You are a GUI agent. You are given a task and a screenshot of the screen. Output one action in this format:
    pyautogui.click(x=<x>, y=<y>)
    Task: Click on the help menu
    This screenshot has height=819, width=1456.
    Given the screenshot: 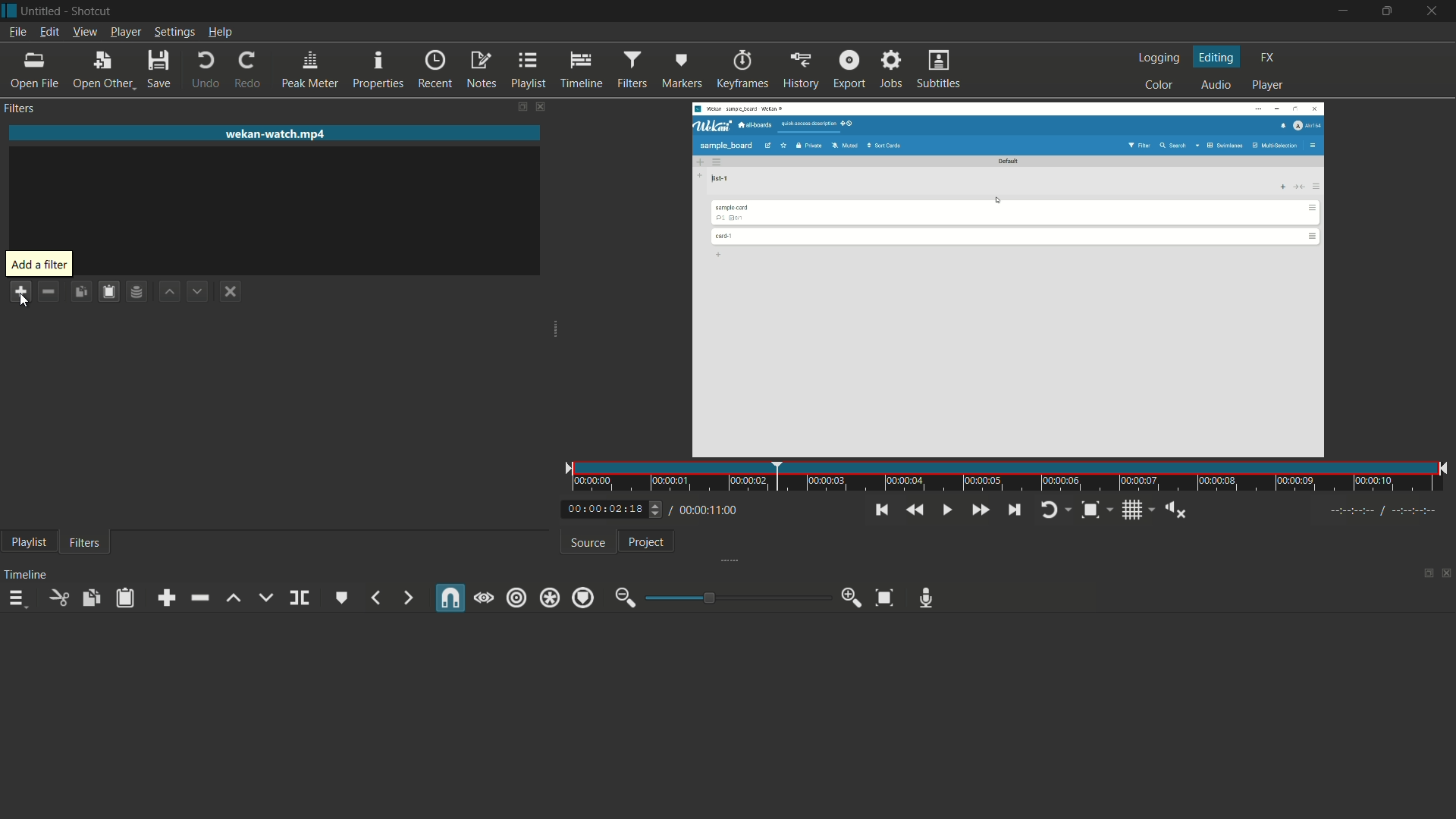 What is the action you would take?
    pyautogui.click(x=222, y=32)
    